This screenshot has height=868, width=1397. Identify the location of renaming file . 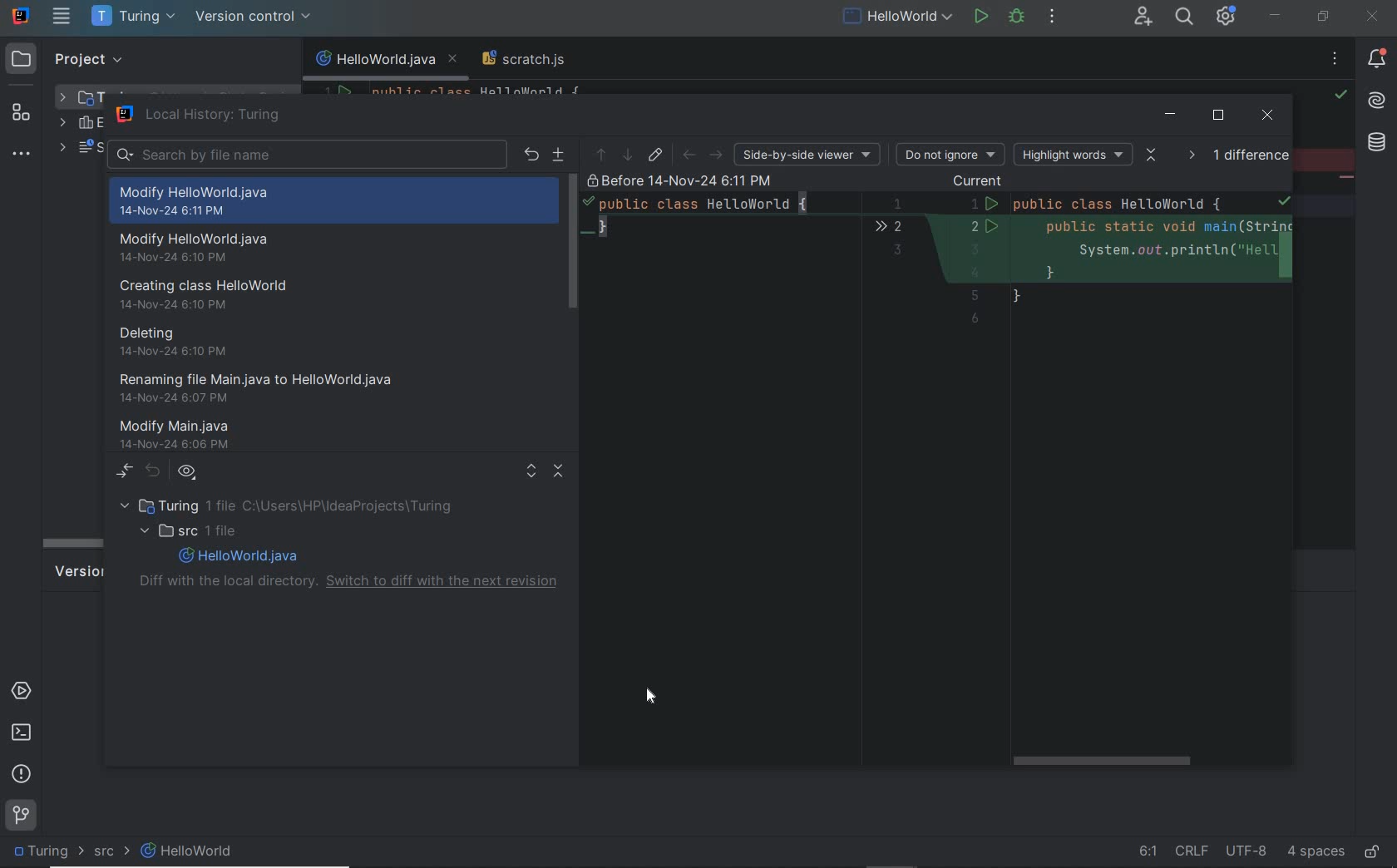
(254, 387).